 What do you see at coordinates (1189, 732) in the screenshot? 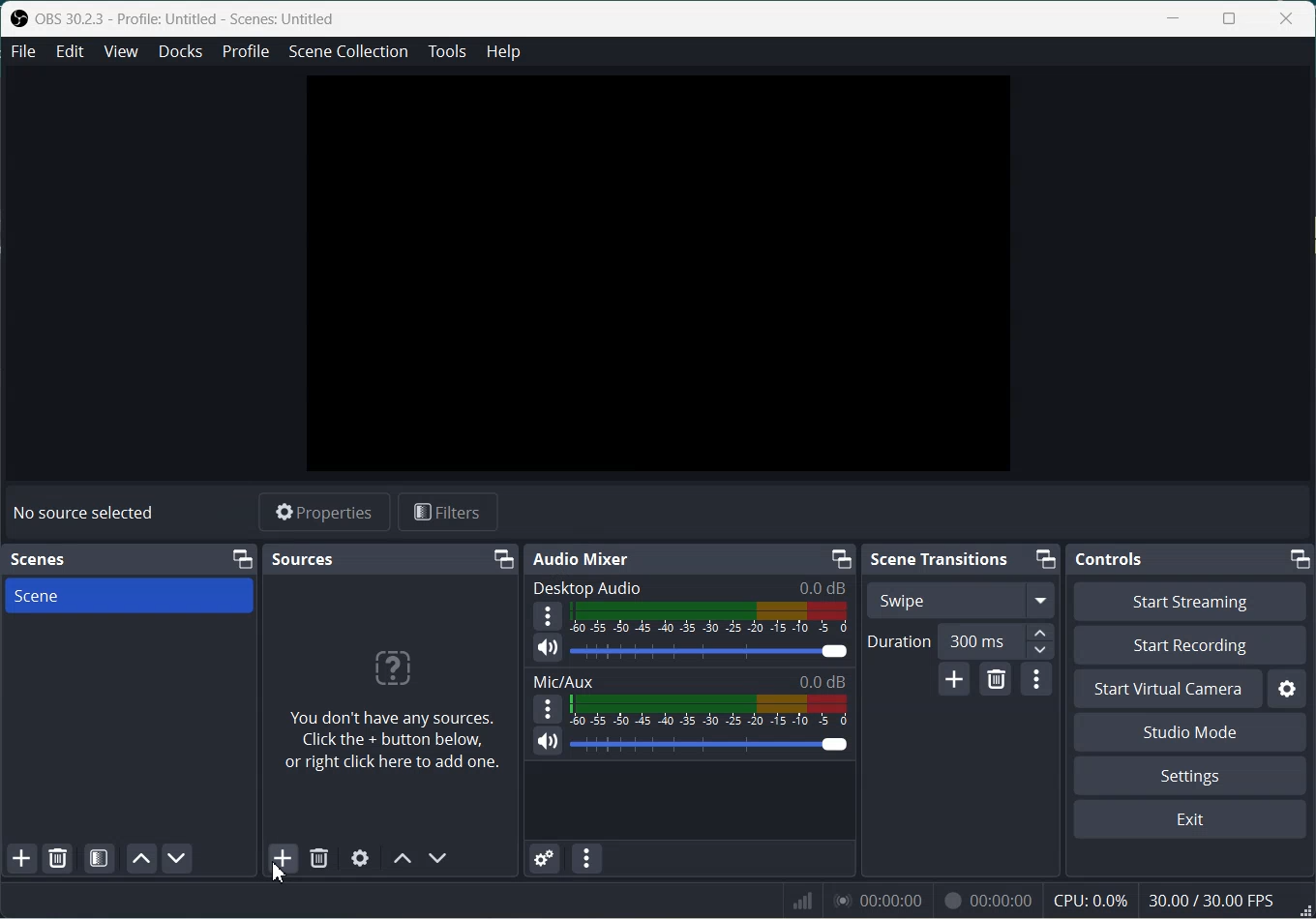
I see `Studio Mode` at bounding box center [1189, 732].